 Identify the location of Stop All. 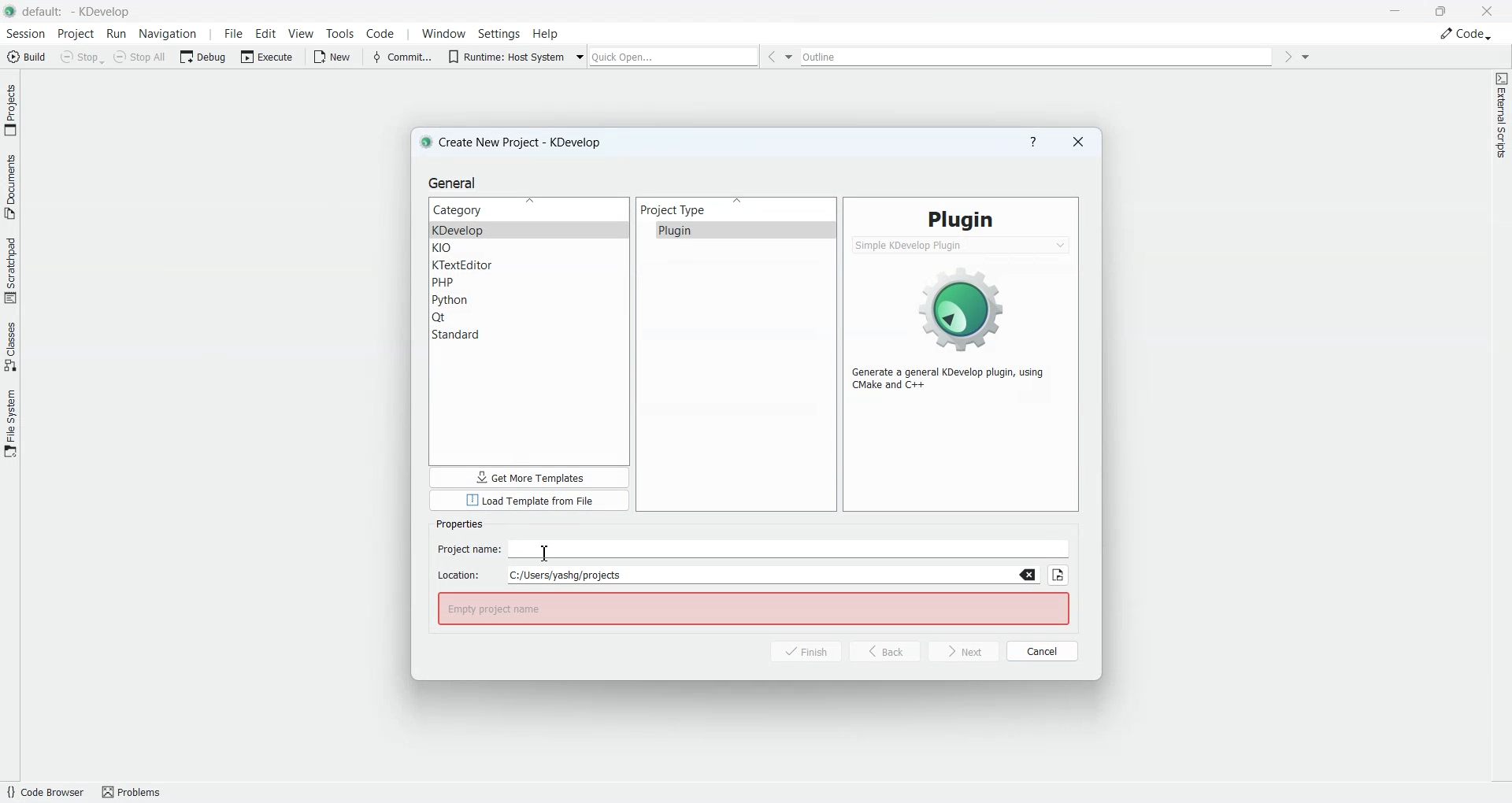
(142, 57).